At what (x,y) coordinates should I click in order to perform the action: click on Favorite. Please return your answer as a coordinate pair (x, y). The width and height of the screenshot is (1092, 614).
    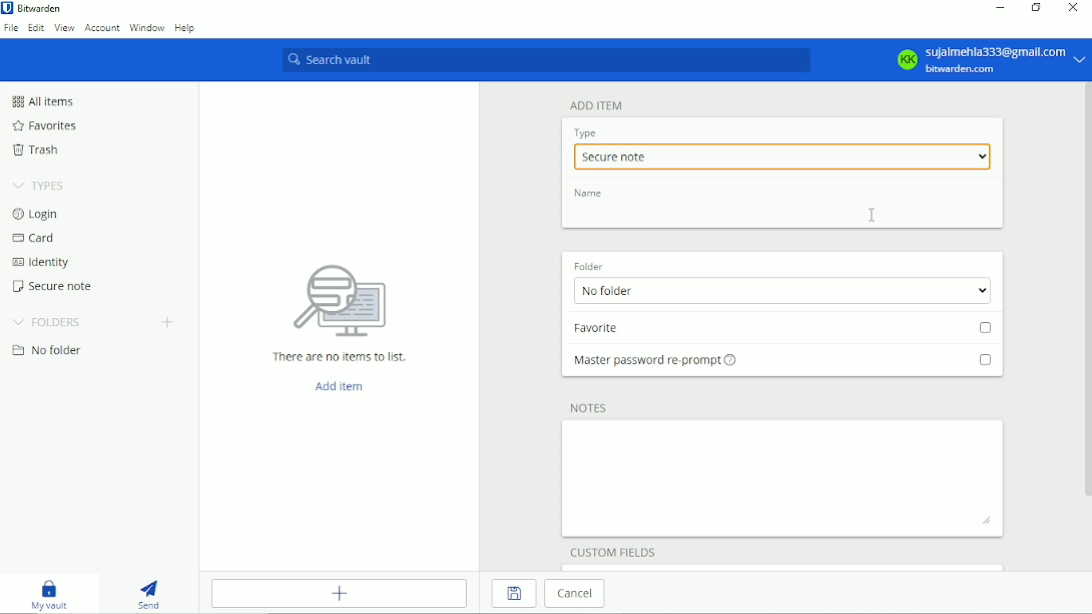
    Looking at the image, I should click on (786, 330).